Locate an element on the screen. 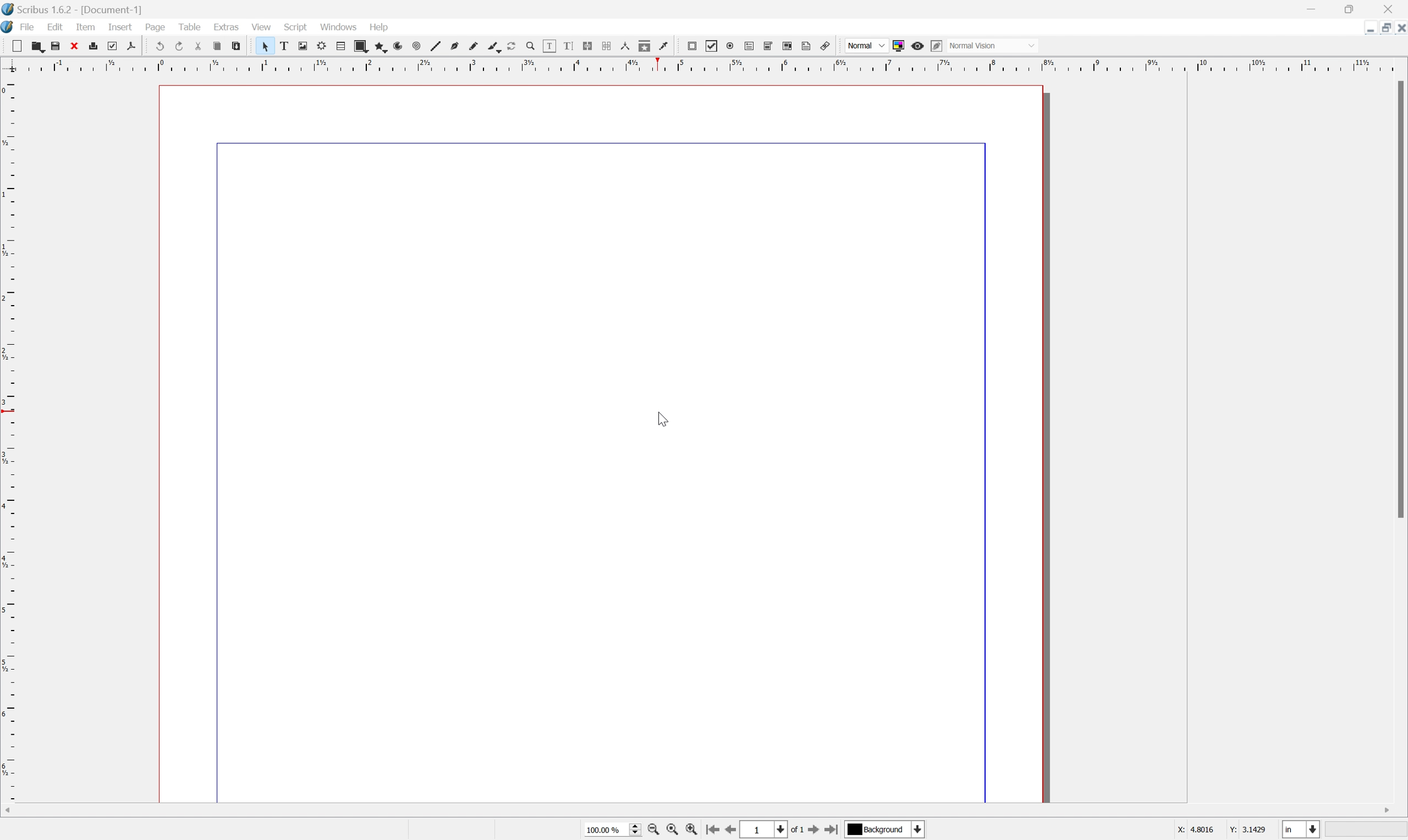 This screenshot has height=840, width=1408. windows is located at coordinates (338, 28).